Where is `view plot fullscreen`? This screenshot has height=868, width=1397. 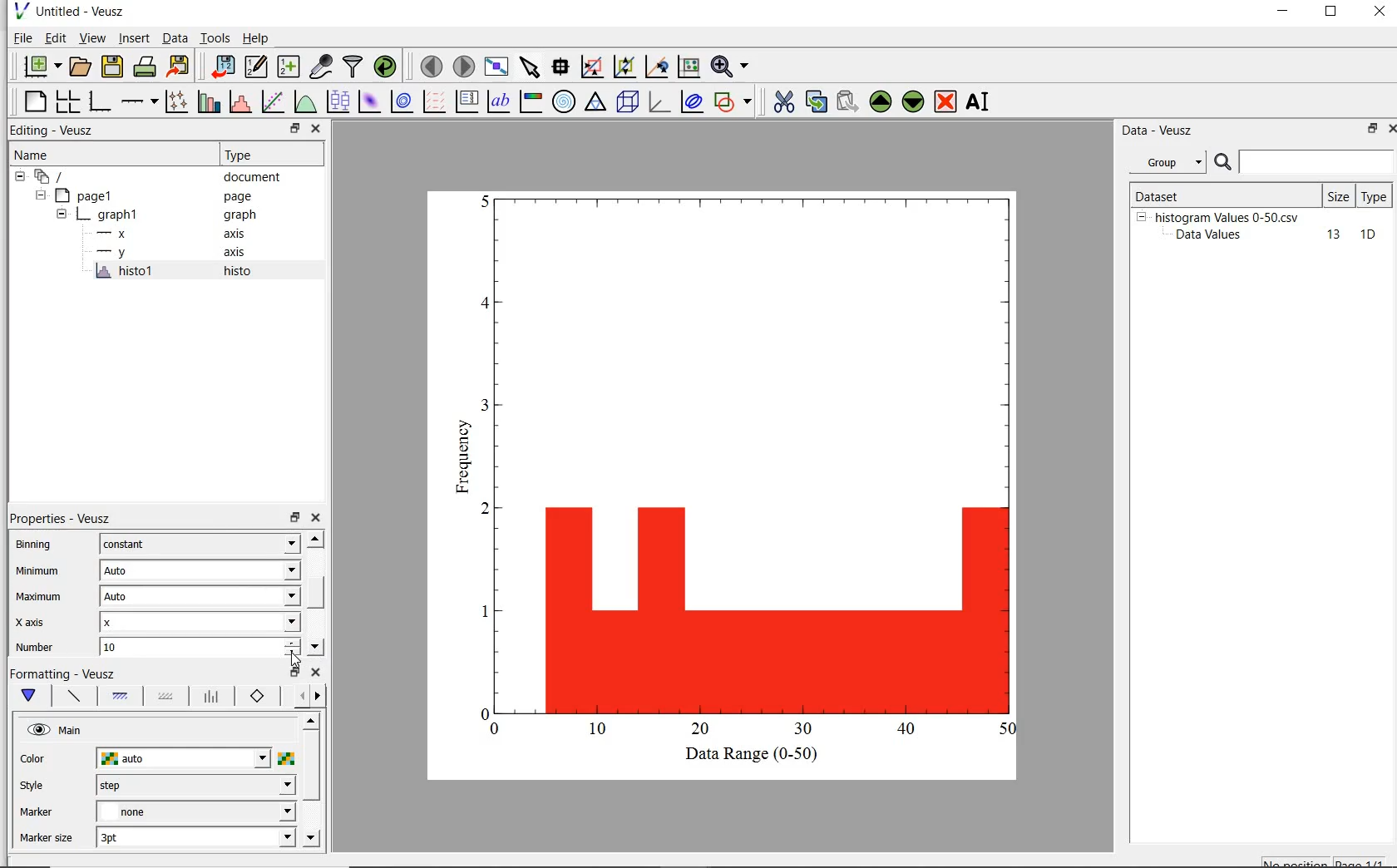 view plot fullscreen is located at coordinates (496, 65).